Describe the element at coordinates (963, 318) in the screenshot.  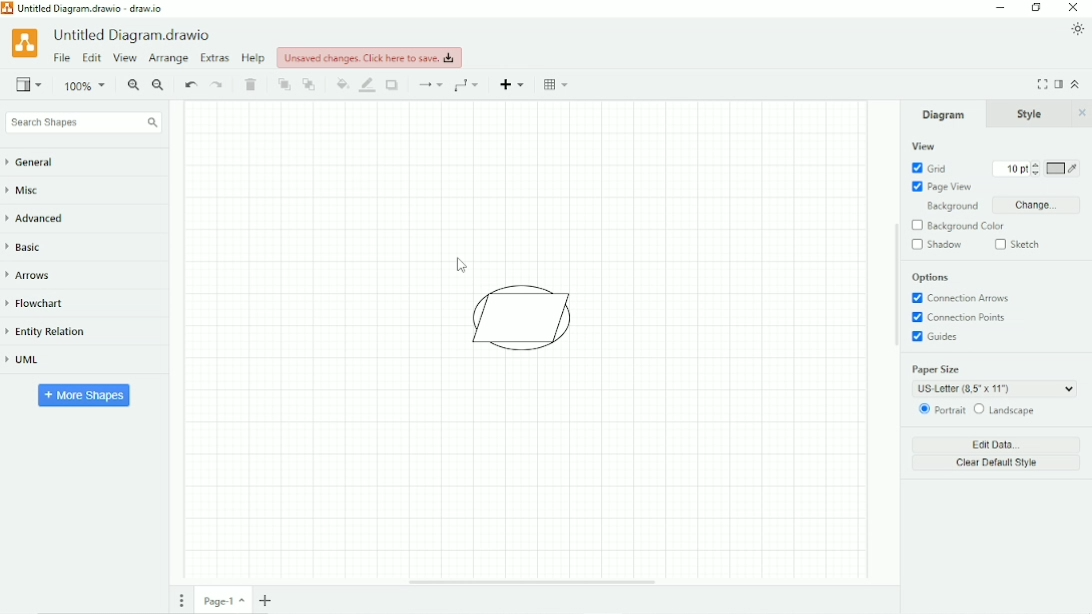
I see `Connection points` at that location.